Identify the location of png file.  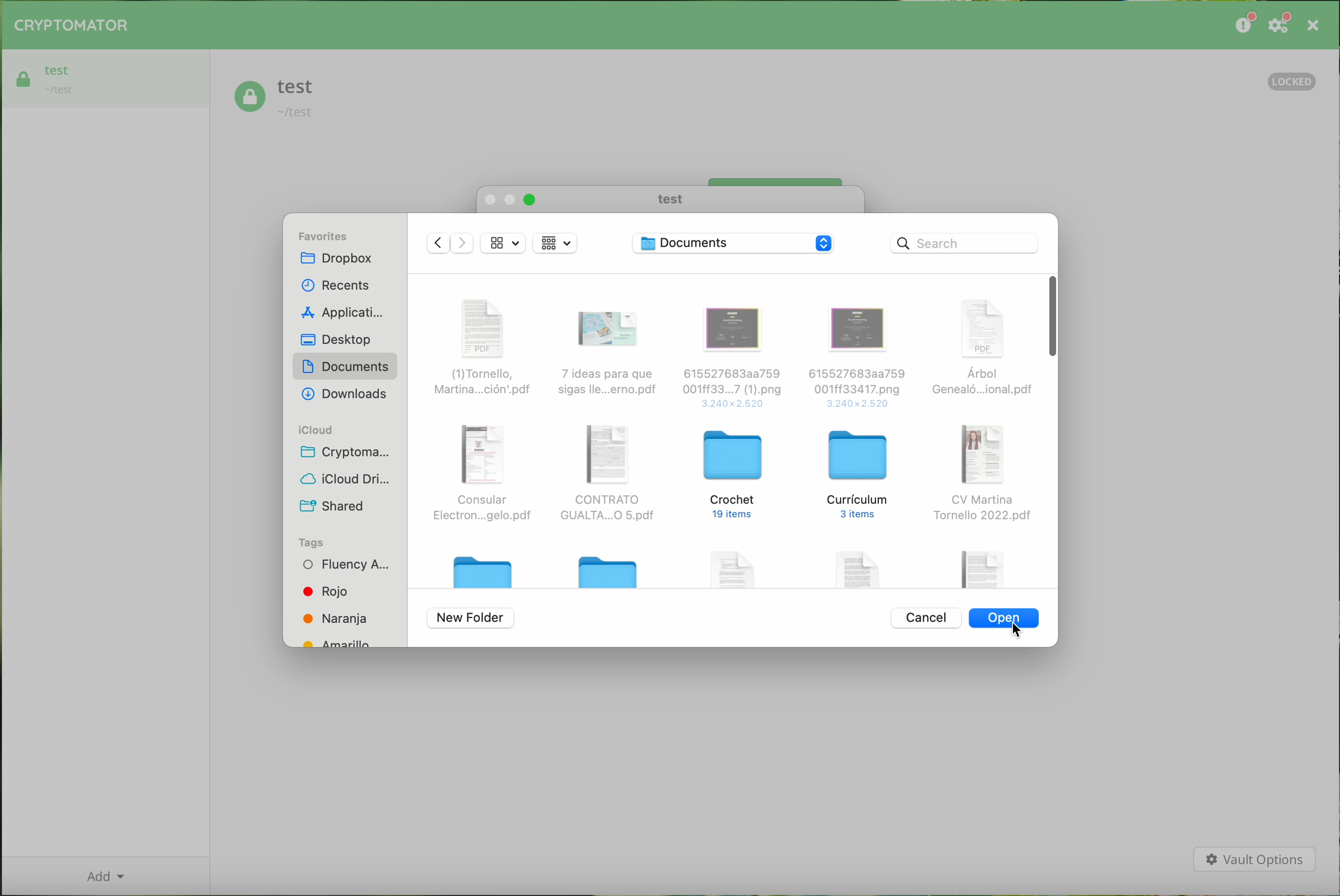
(858, 357).